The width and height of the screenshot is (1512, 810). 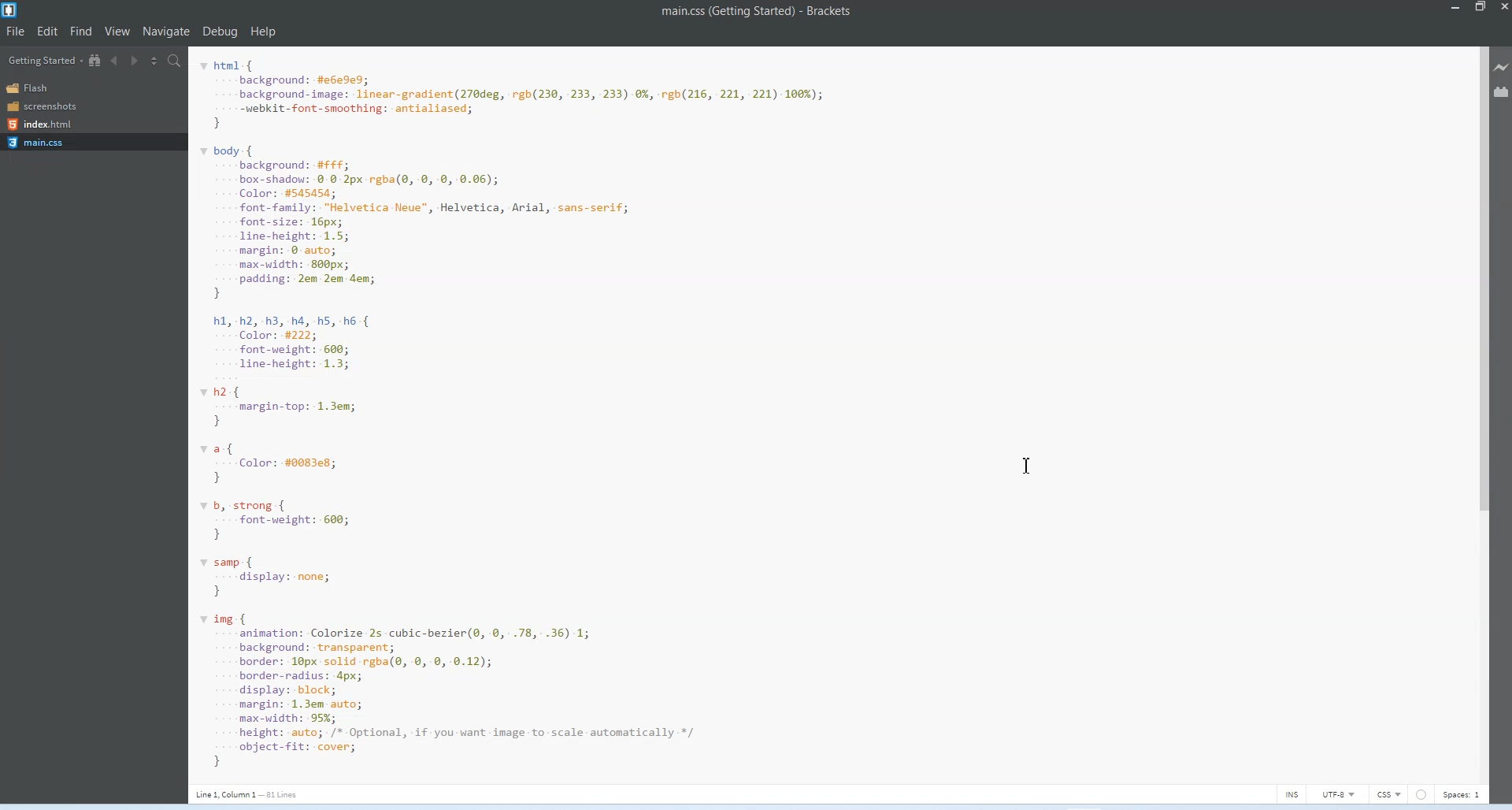 What do you see at coordinates (176, 60) in the screenshot?
I see `Find in Files` at bounding box center [176, 60].